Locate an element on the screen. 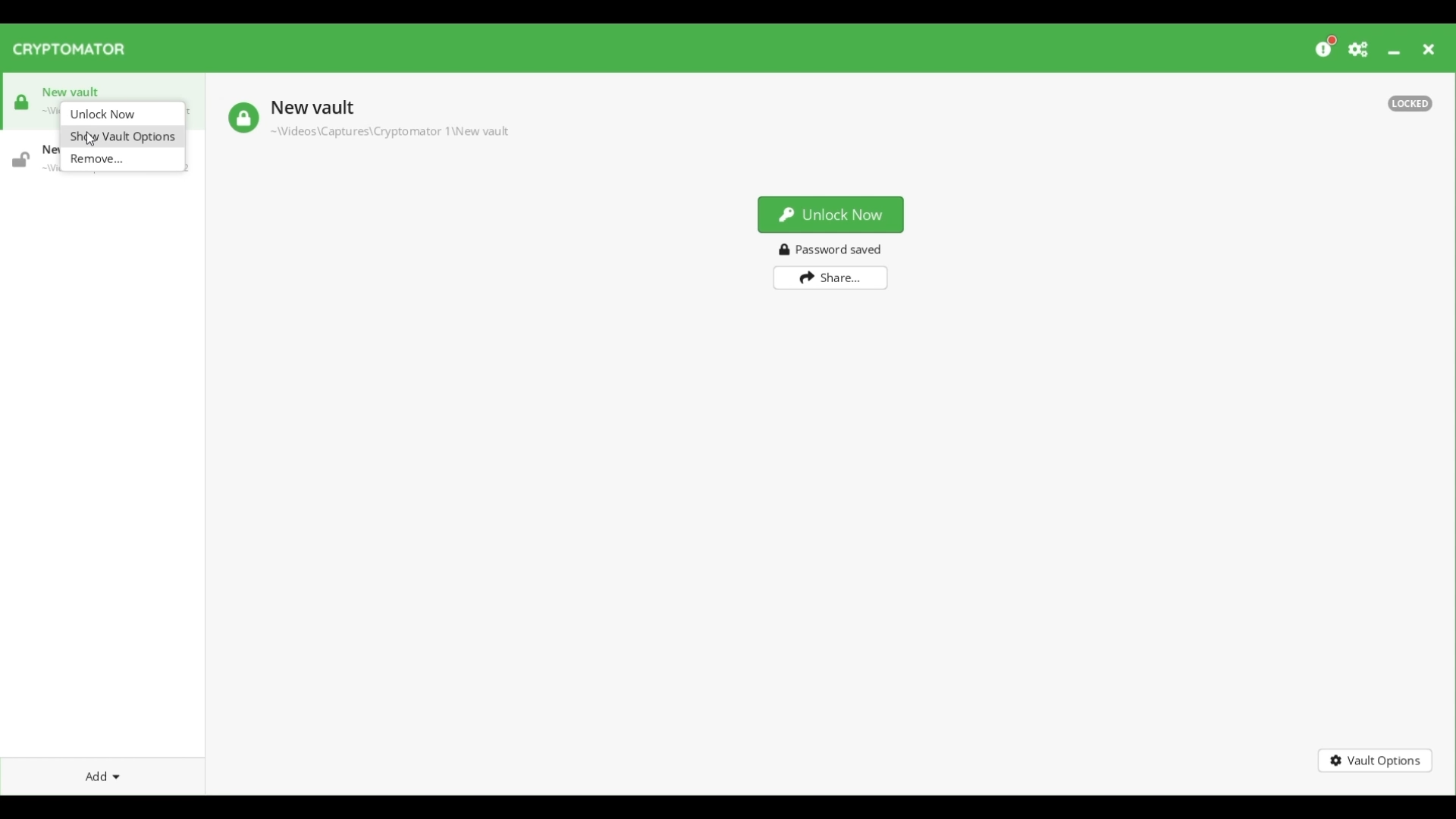 Image resolution: width=1456 pixels, height=819 pixels. Unlock now is located at coordinates (123, 114).